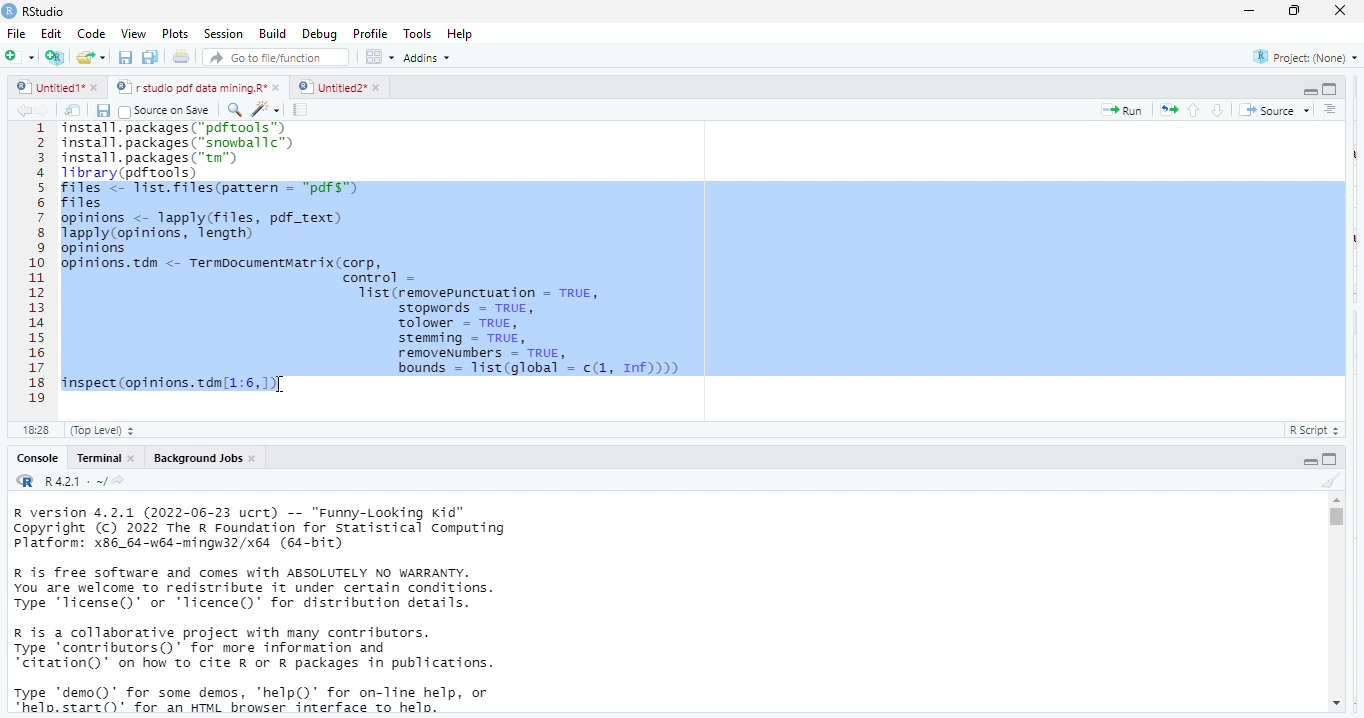  Describe the element at coordinates (18, 33) in the screenshot. I see `file` at that location.